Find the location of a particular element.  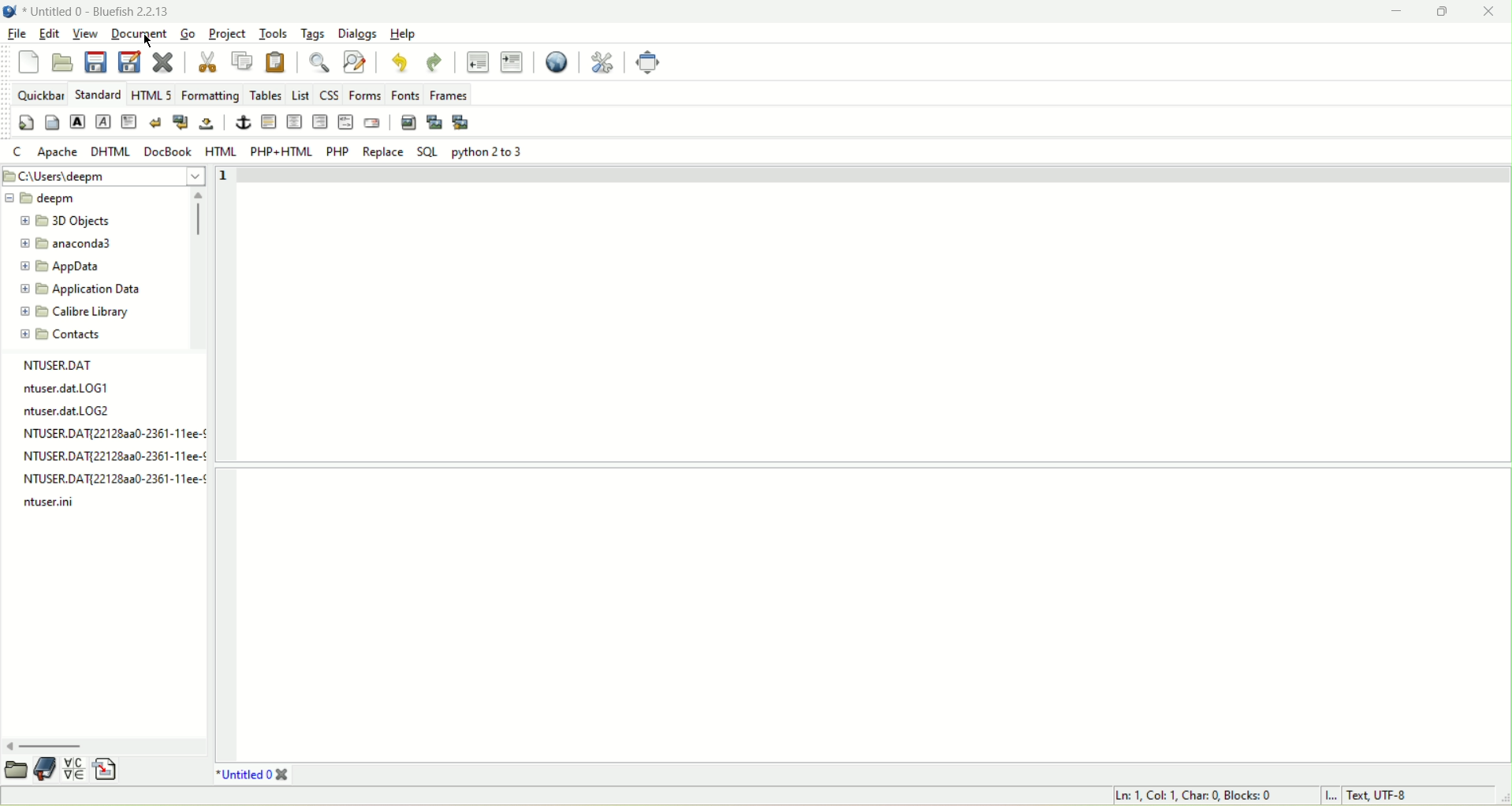

non breaking space is located at coordinates (206, 121).